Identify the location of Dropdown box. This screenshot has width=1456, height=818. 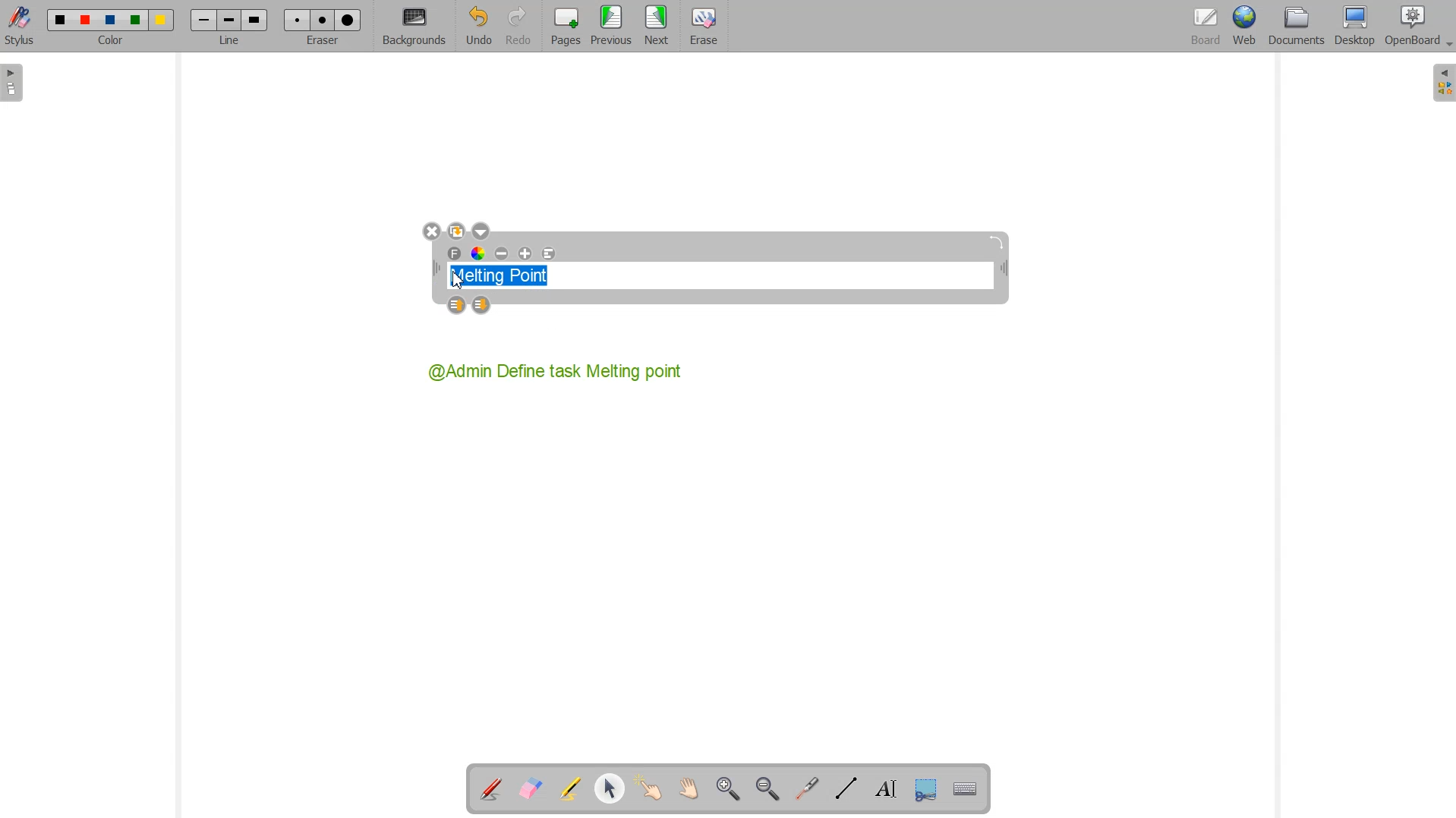
(1447, 46).